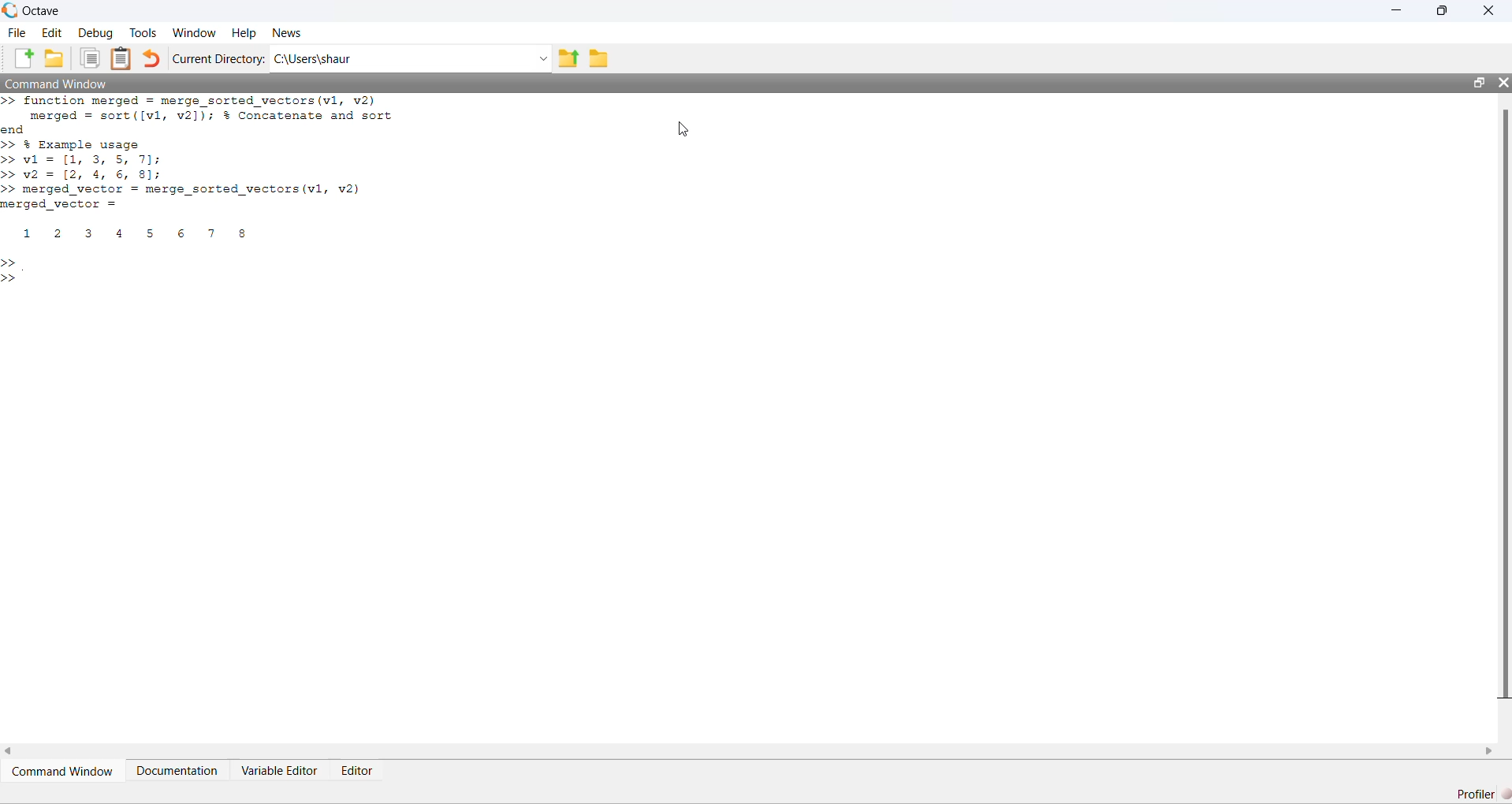  What do you see at coordinates (314, 60) in the screenshot?
I see `C:\Users\shaur` at bounding box center [314, 60].